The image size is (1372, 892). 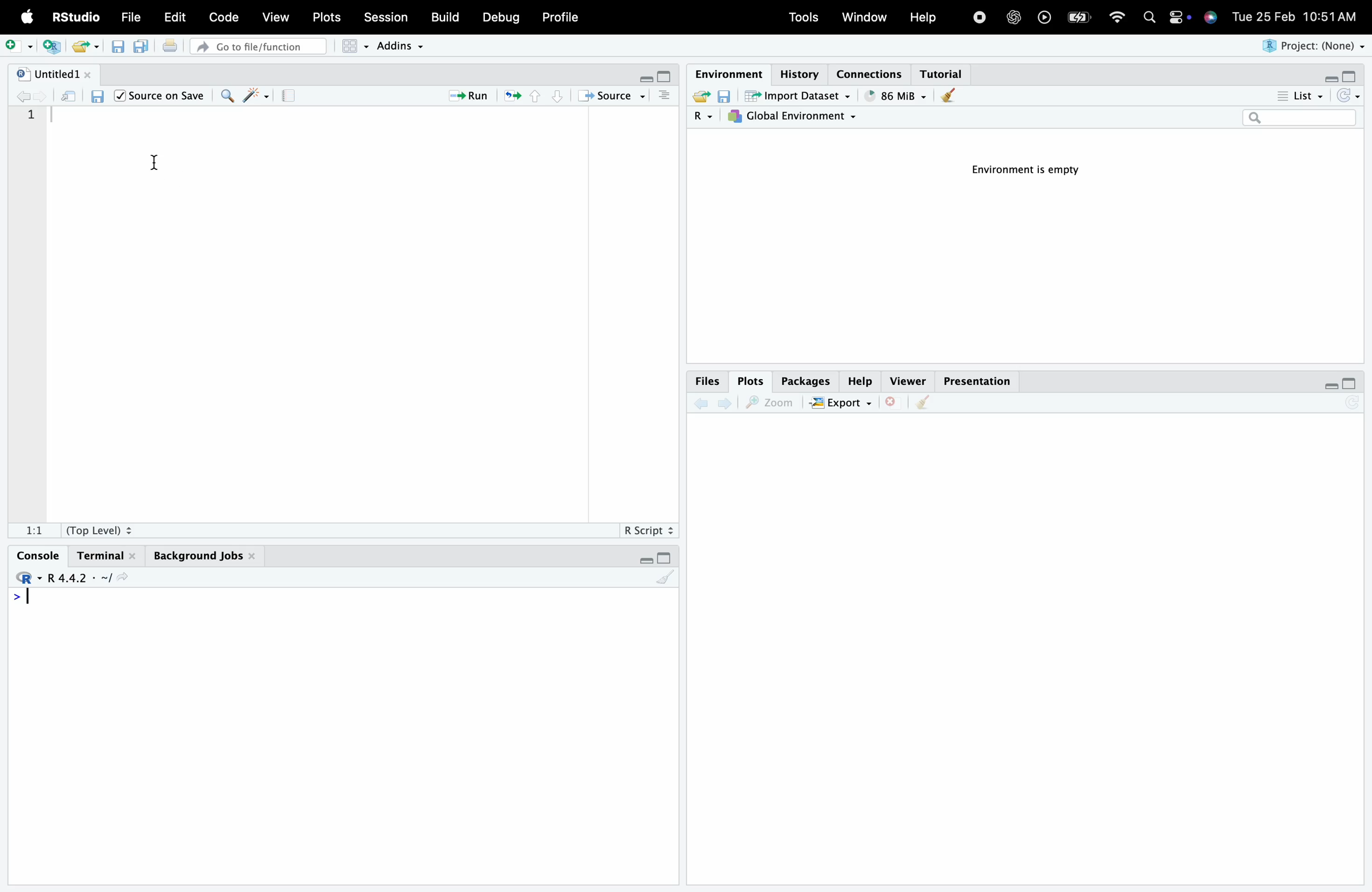 What do you see at coordinates (160, 96) in the screenshot?
I see `/| Source on Save` at bounding box center [160, 96].